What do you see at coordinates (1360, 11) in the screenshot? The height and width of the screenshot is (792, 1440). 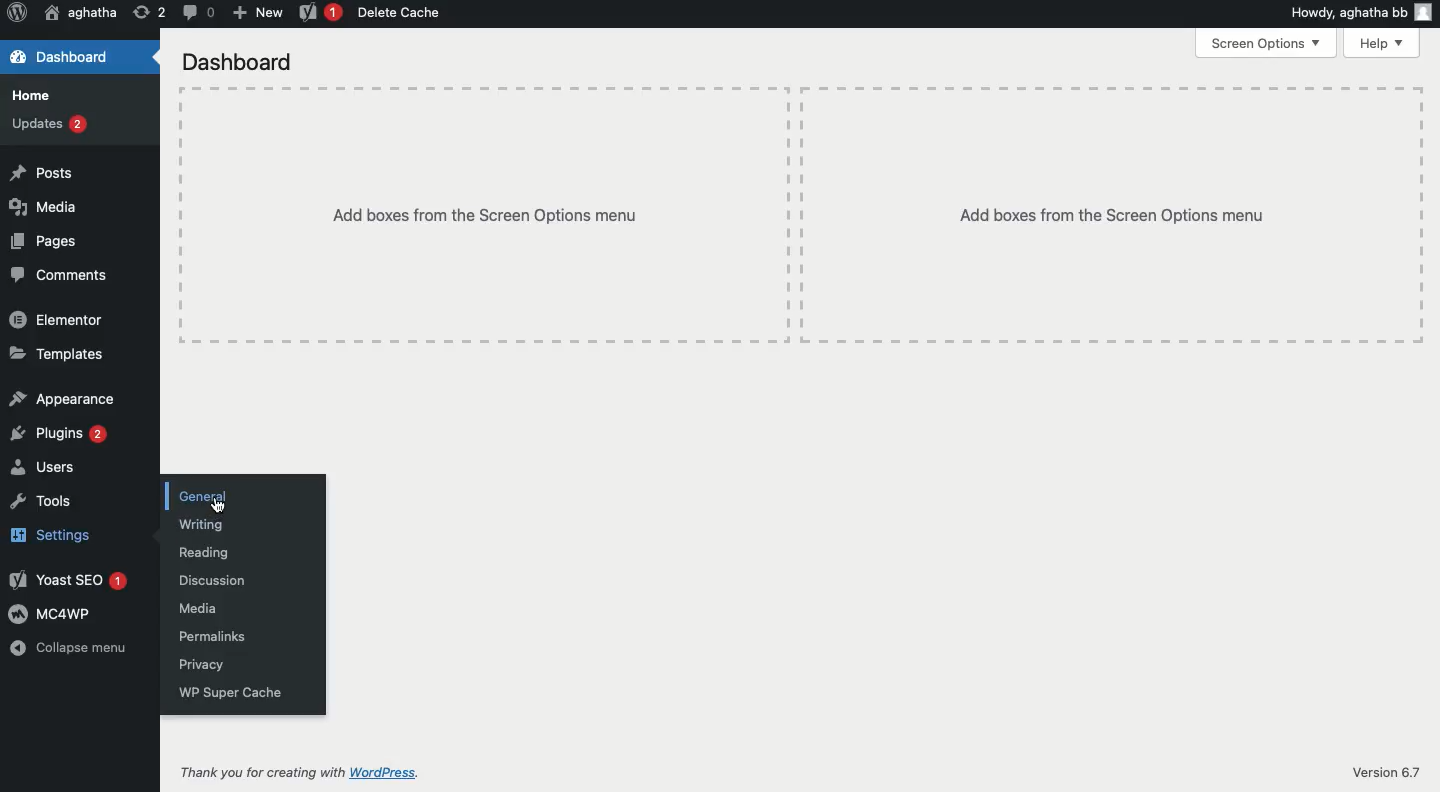 I see `Howdy, aghatha bb` at bounding box center [1360, 11].